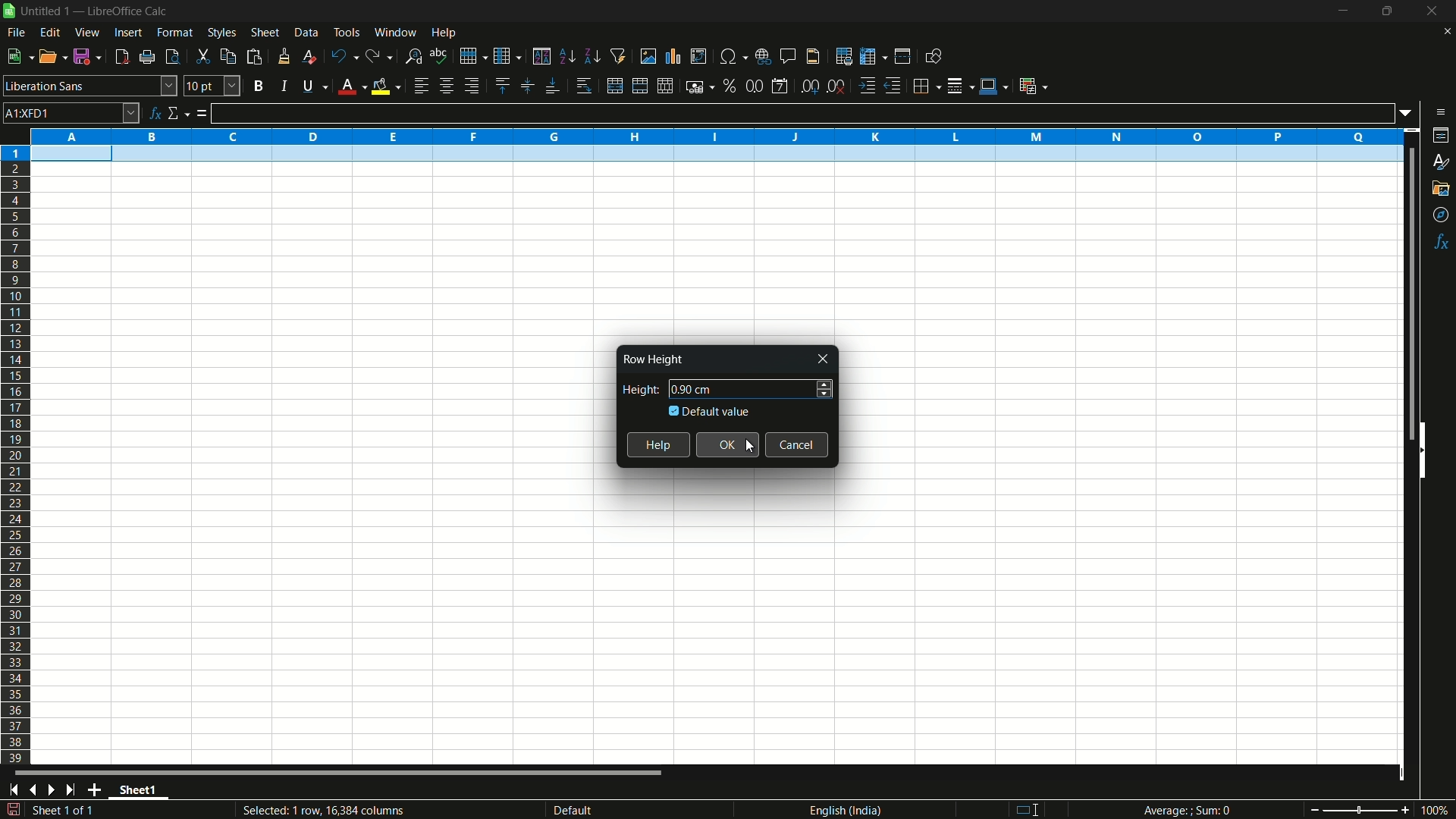 The image size is (1456, 819). Describe the element at coordinates (283, 86) in the screenshot. I see `italic` at that location.